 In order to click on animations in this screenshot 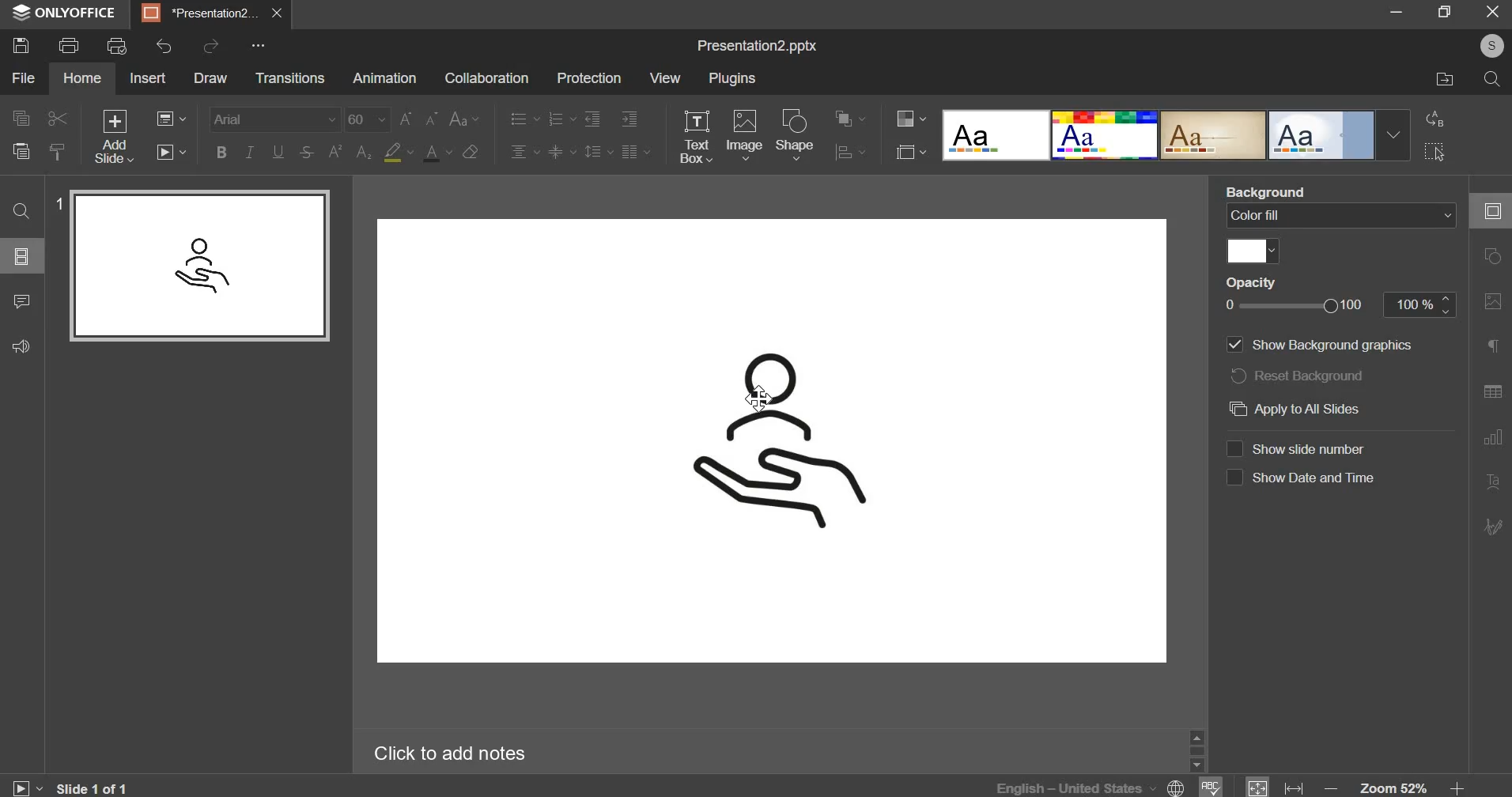, I will do `click(383, 78)`.